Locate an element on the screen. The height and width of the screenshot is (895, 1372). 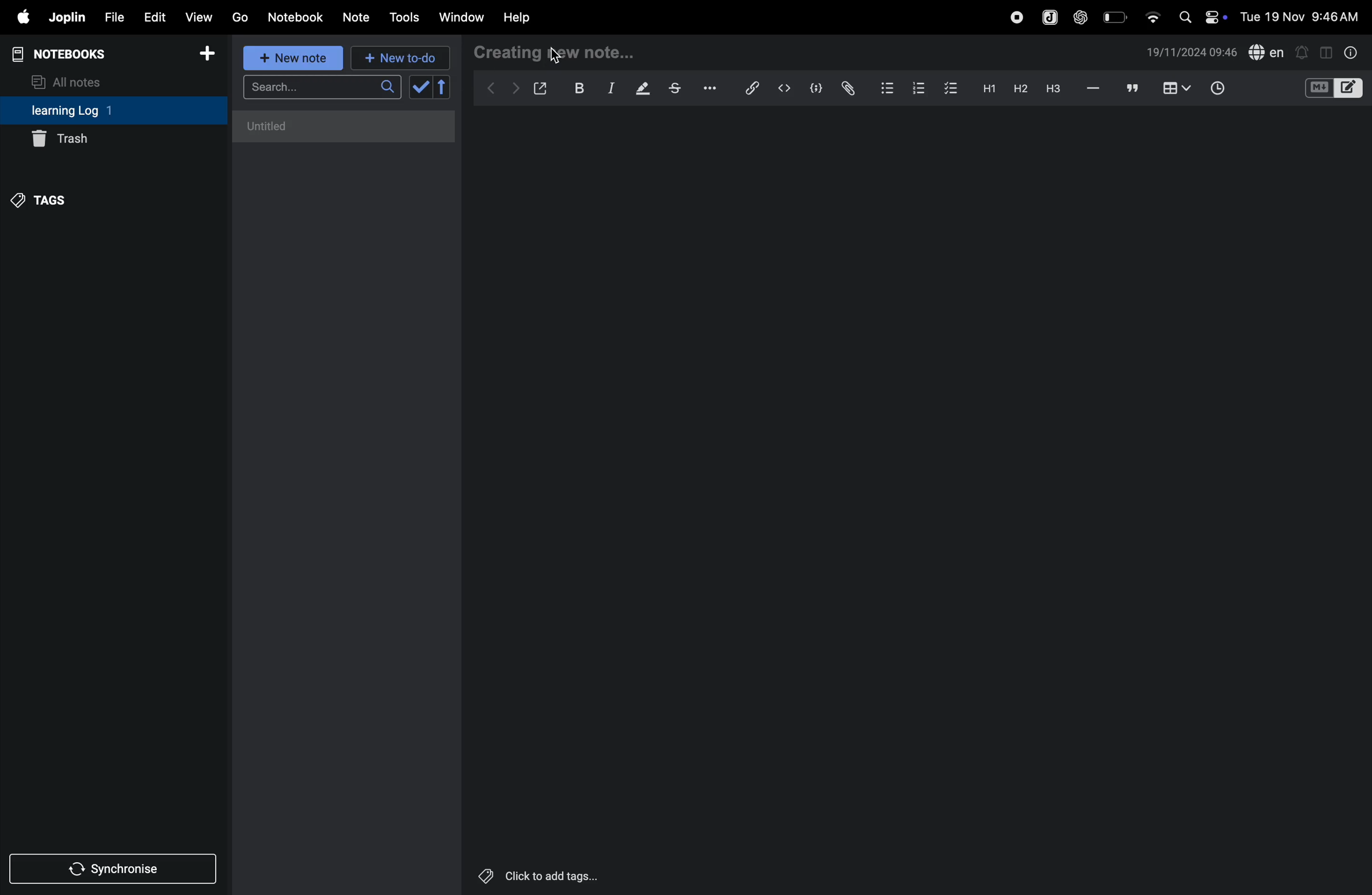
insert code is located at coordinates (785, 88).